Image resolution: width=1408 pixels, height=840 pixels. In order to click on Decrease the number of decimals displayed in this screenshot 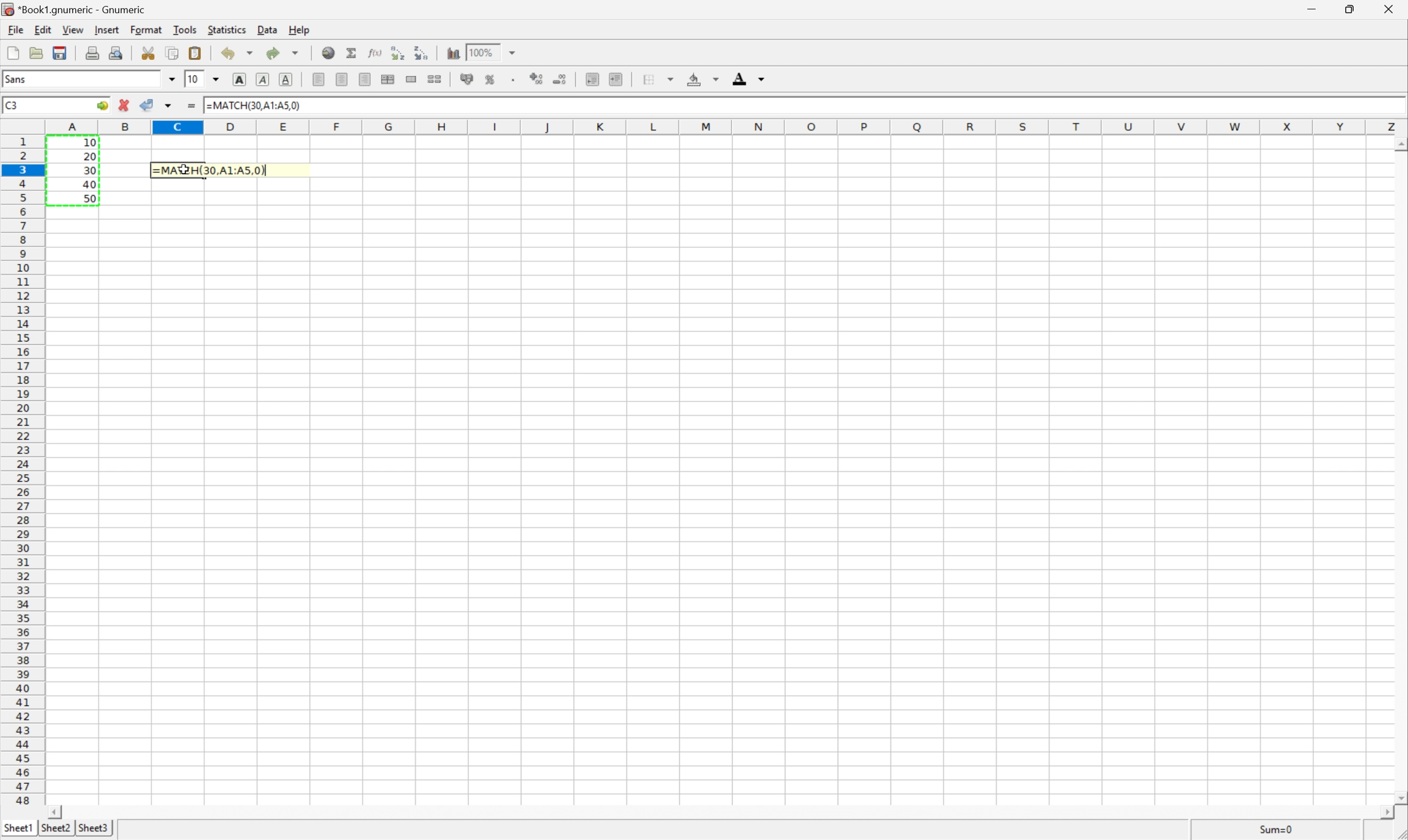, I will do `click(559, 76)`.